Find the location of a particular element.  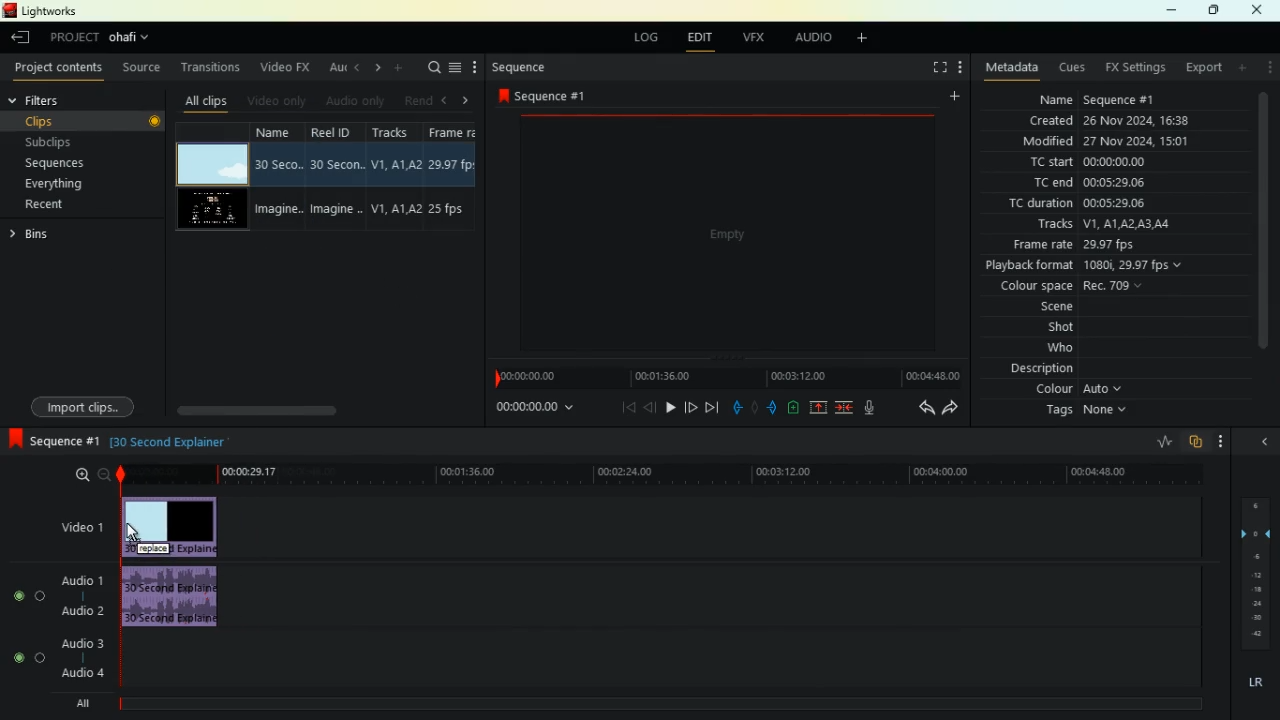

add is located at coordinates (1241, 70).